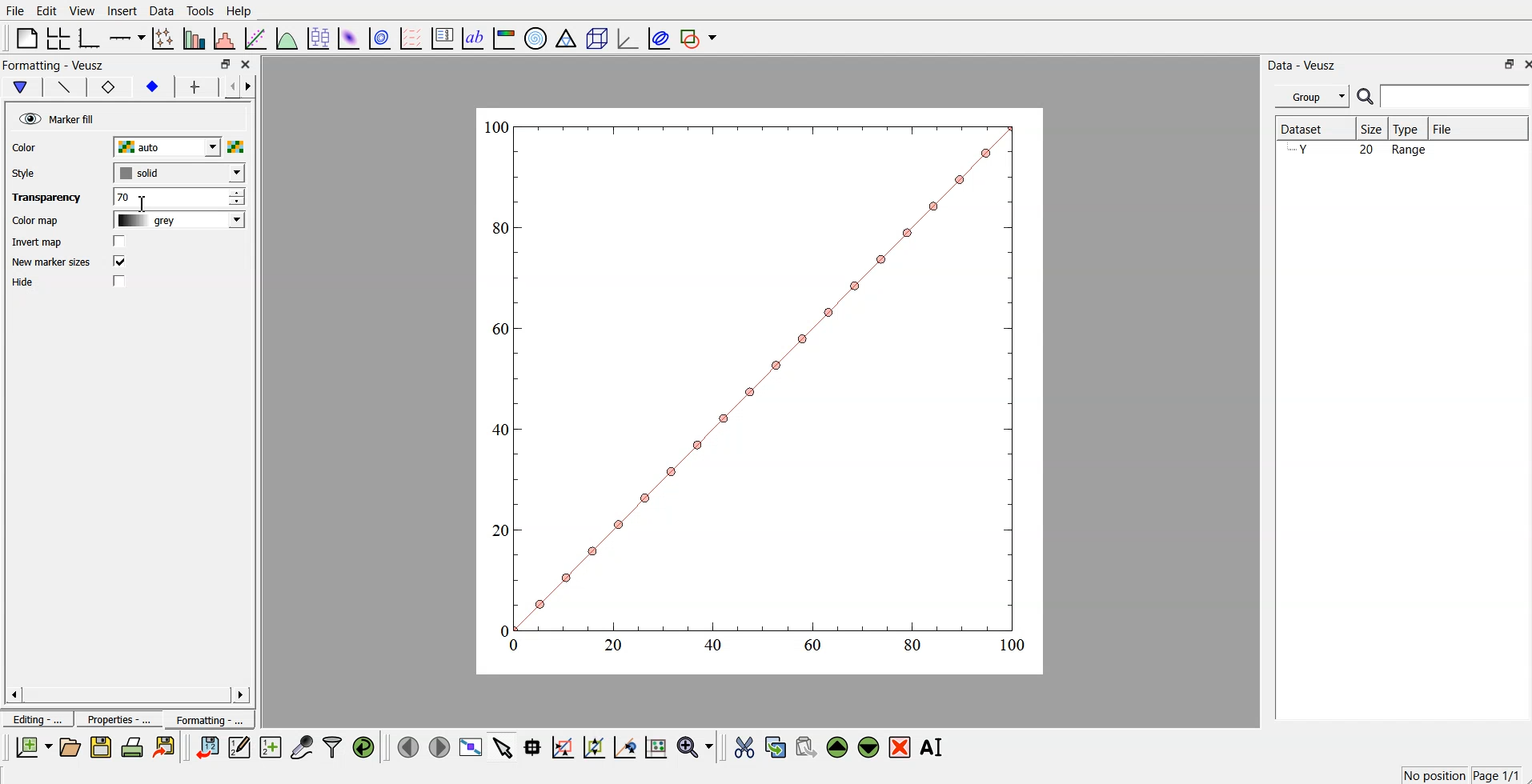 This screenshot has height=784, width=1532. I want to click on previous, so click(226, 89).